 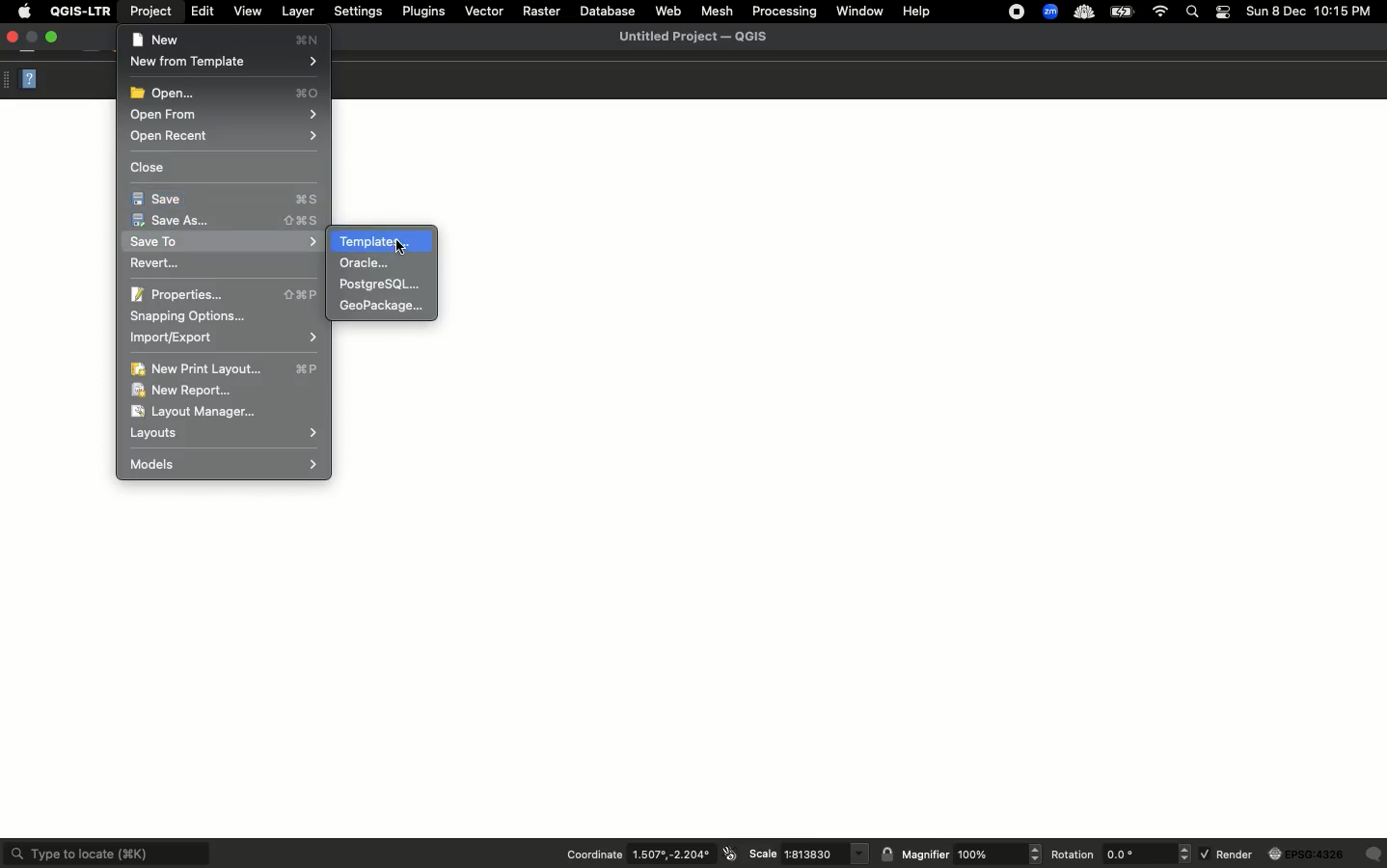 I want to click on Plugins, so click(x=424, y=12).